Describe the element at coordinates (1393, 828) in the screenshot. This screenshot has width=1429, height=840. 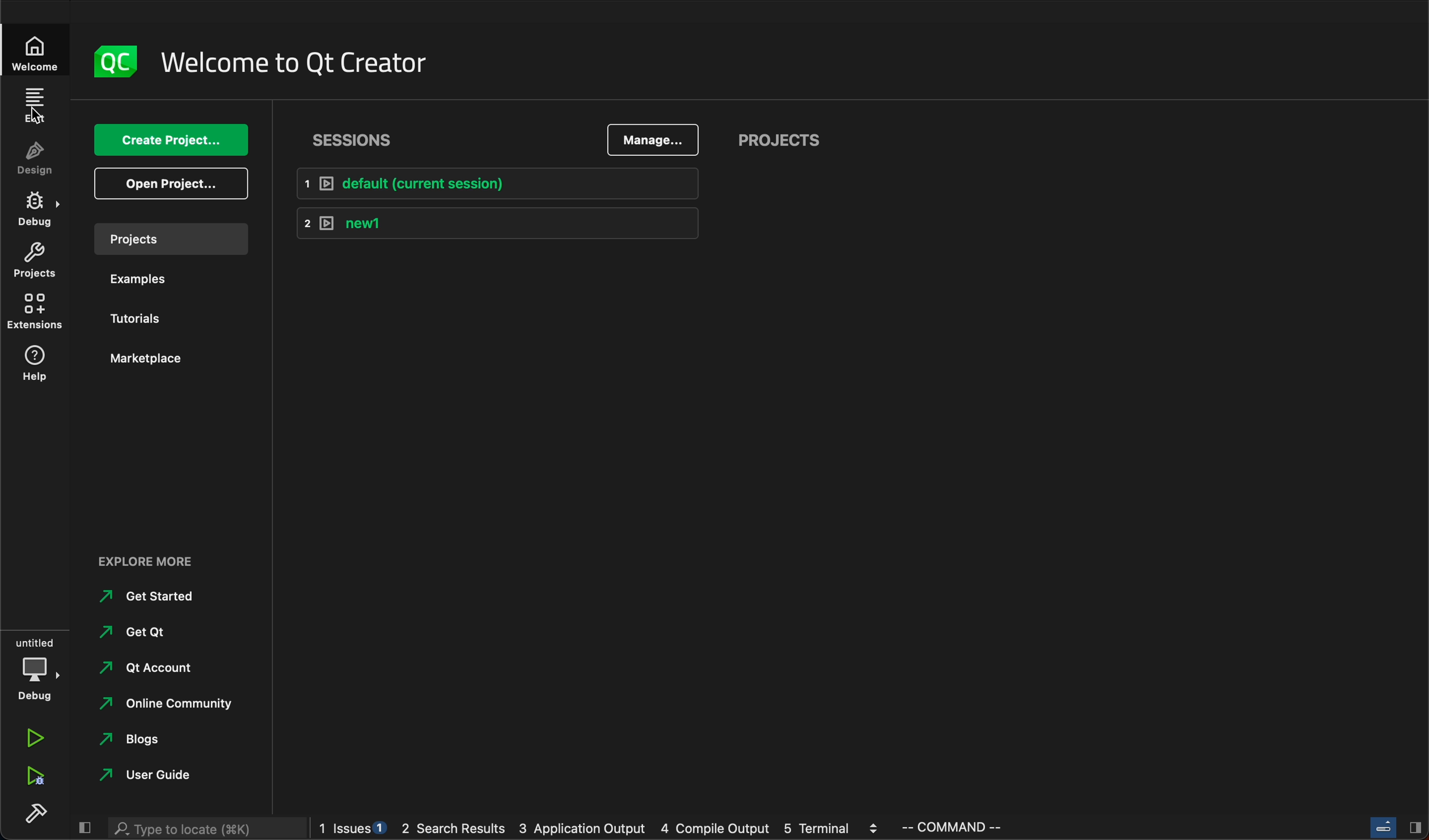
I see `close slide bar` at that location.